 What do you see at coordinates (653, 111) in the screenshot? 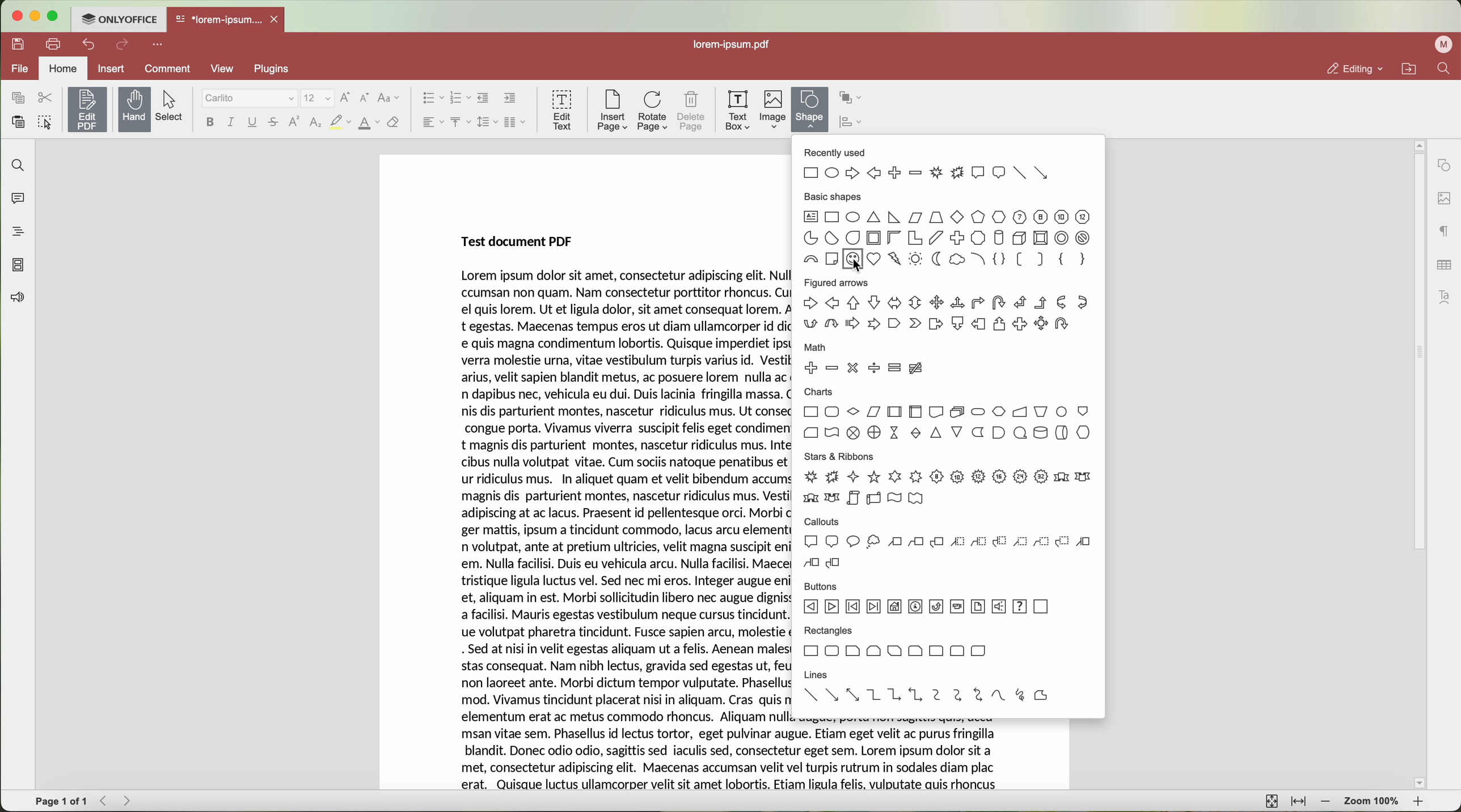
I see `rotate page` at bounding box center [653, 111].